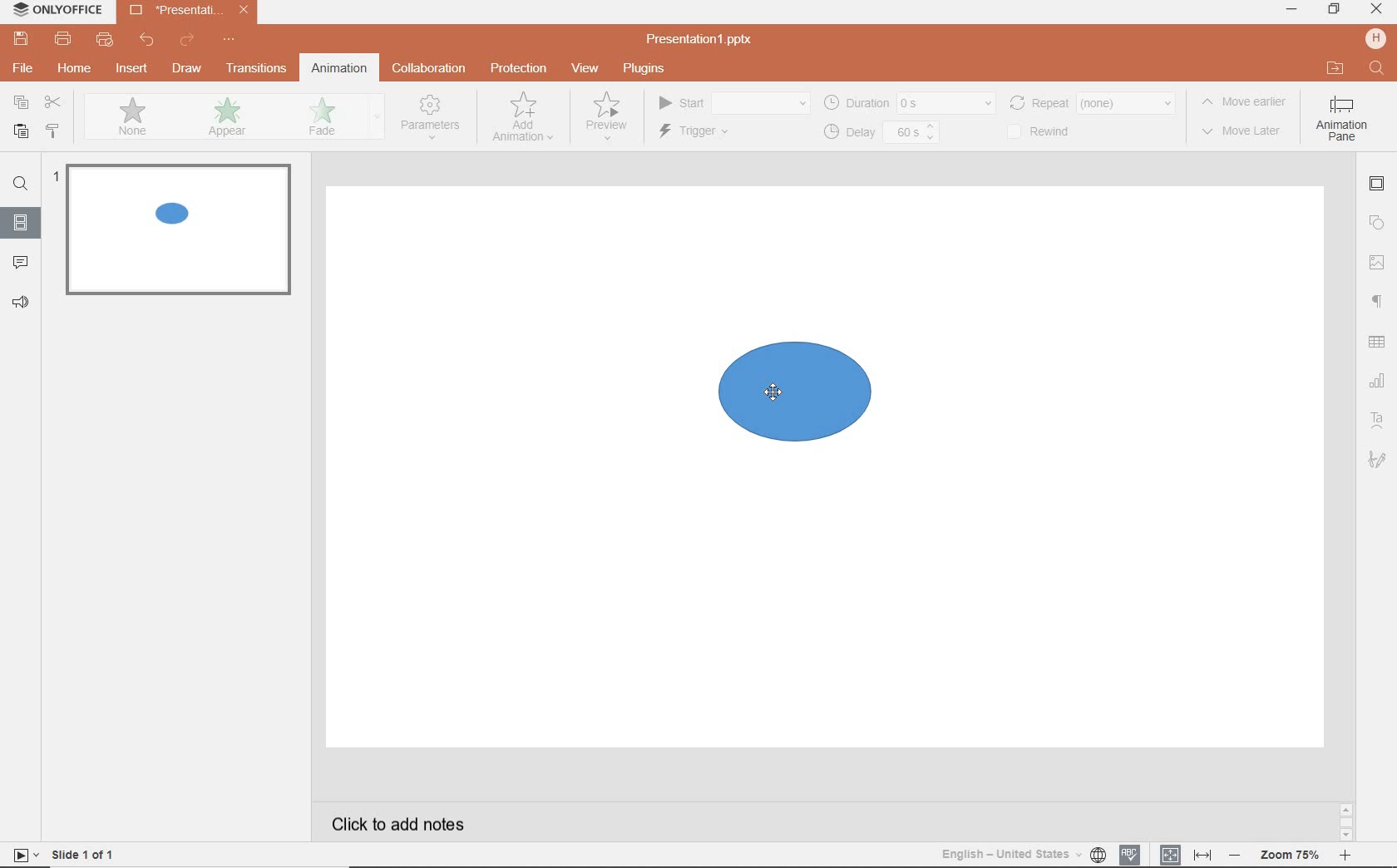 Image resolution: width=1397 pixels, height=868 pixels. Describe the element at coordinates (605, 121) in the screenshot. I see `preview` at that location.